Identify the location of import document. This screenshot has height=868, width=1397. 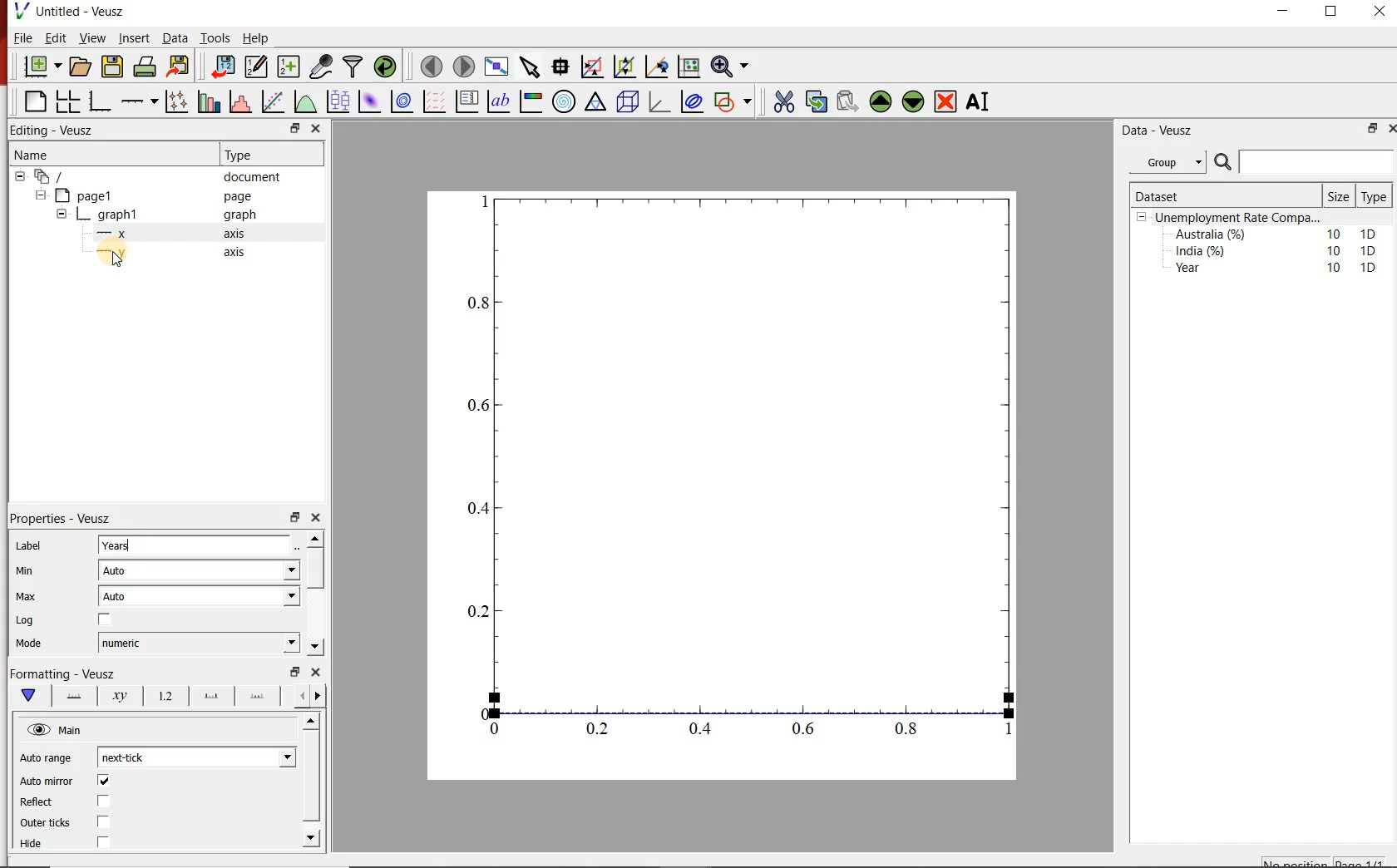
(225, 65).